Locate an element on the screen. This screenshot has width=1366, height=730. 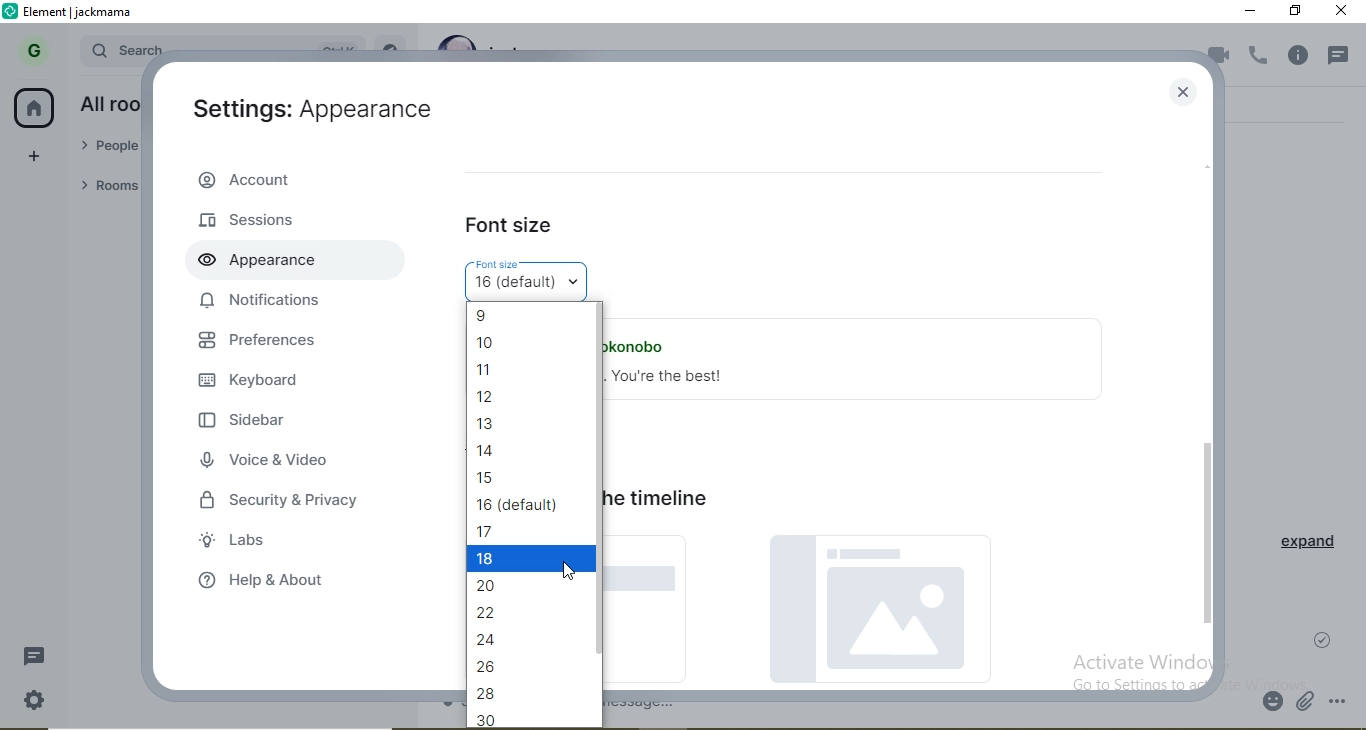
20 is located at coordinates (517, 587).